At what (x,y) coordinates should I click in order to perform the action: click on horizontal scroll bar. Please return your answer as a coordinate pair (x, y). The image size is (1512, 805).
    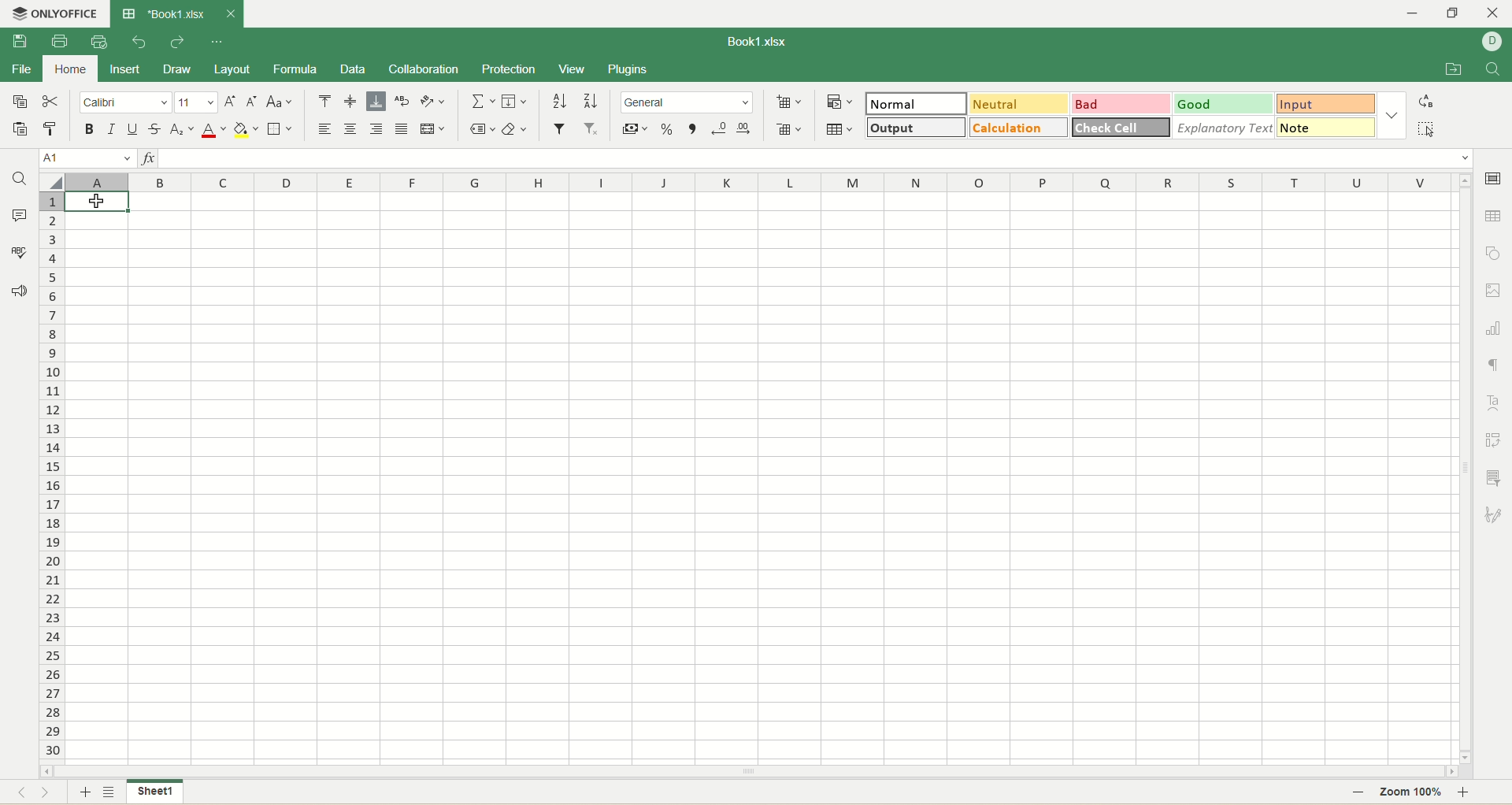
    Looking at the image, I should click on (750, 772).